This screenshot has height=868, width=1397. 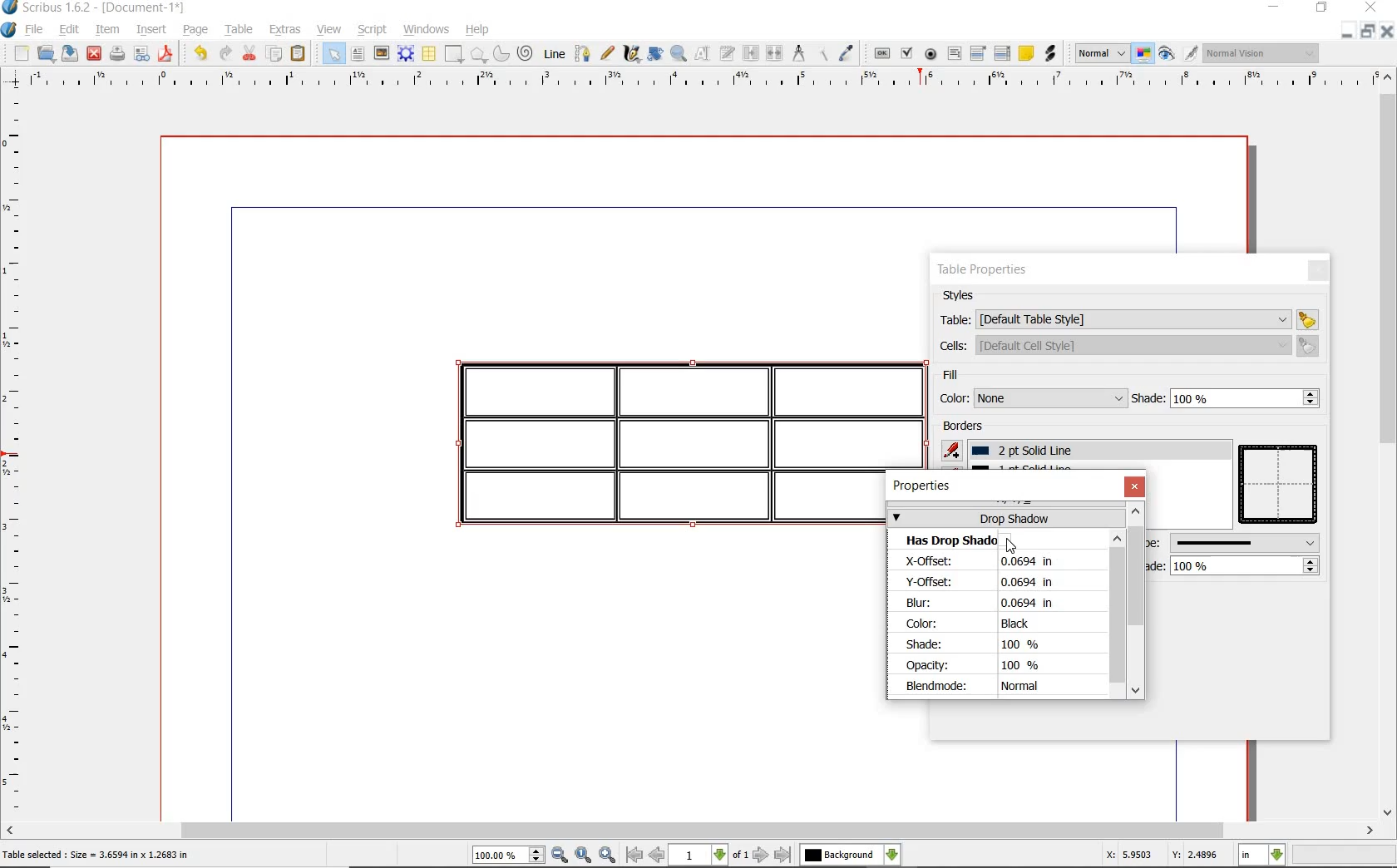 I want to click on image frame, so click(x=382, y=54).